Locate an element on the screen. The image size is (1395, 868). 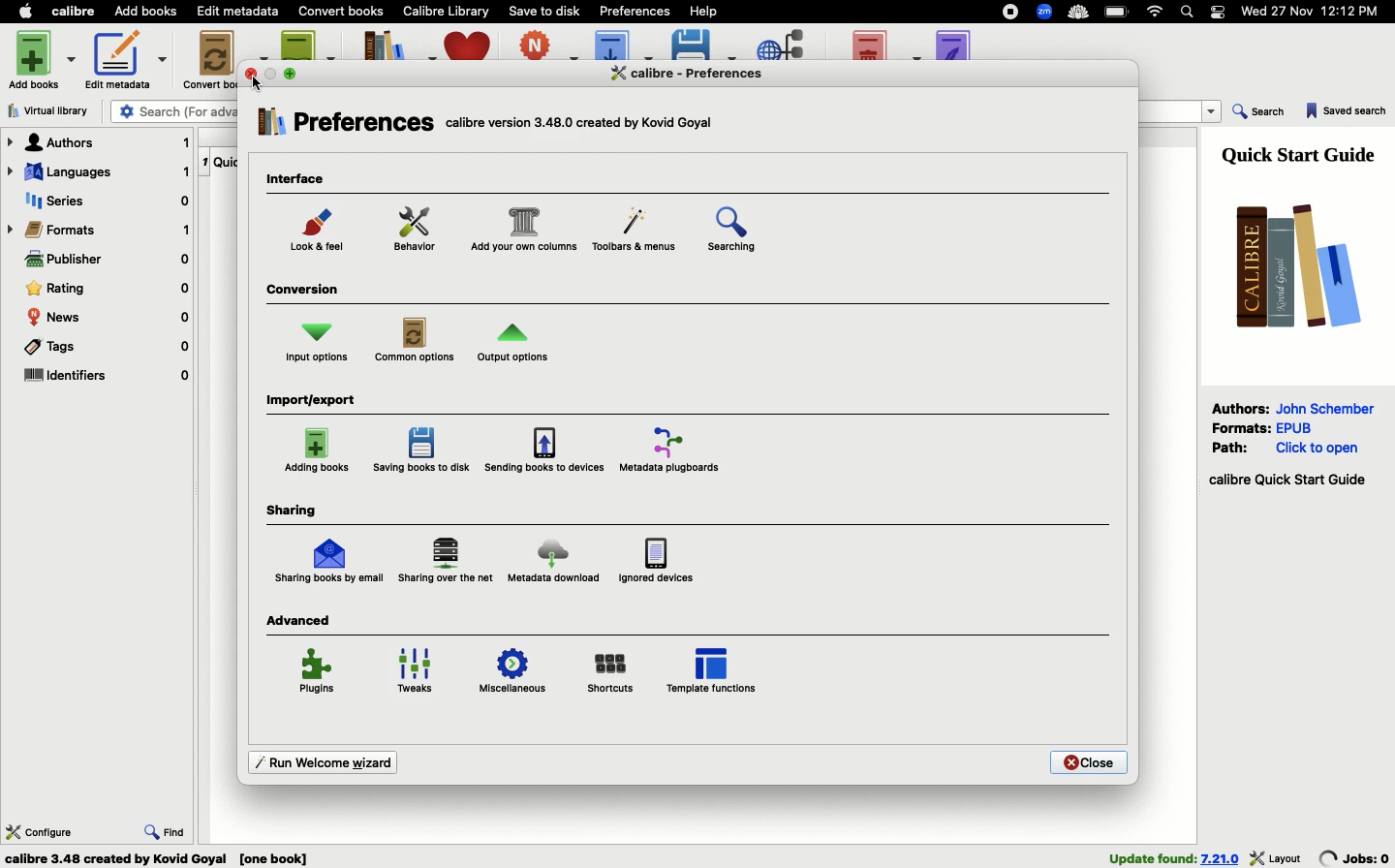
click to open is located at coordinates (1317, 449).